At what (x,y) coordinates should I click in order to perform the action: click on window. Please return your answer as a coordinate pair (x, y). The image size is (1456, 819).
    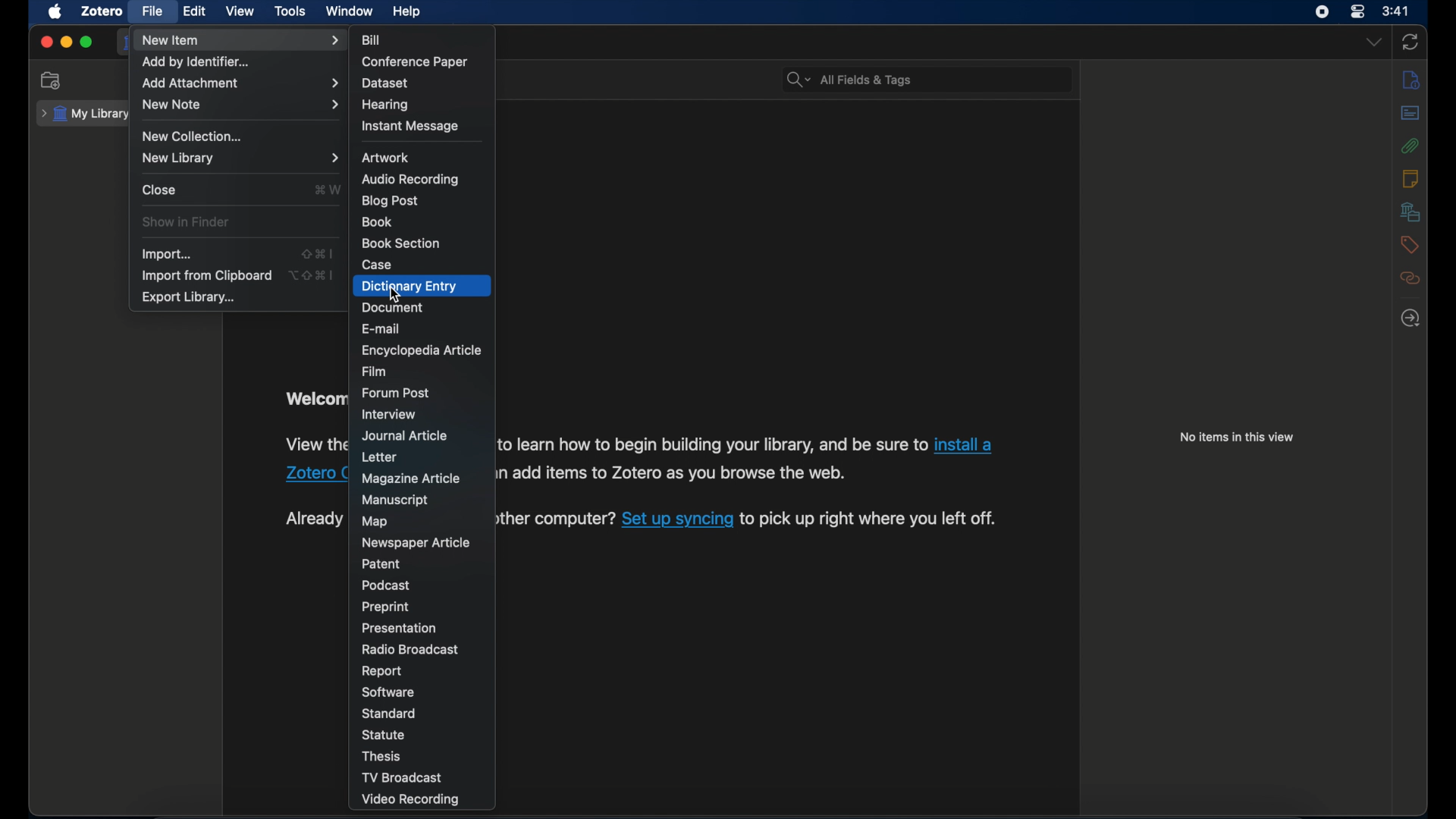
    Looking at the image, I should click on (351, 12).